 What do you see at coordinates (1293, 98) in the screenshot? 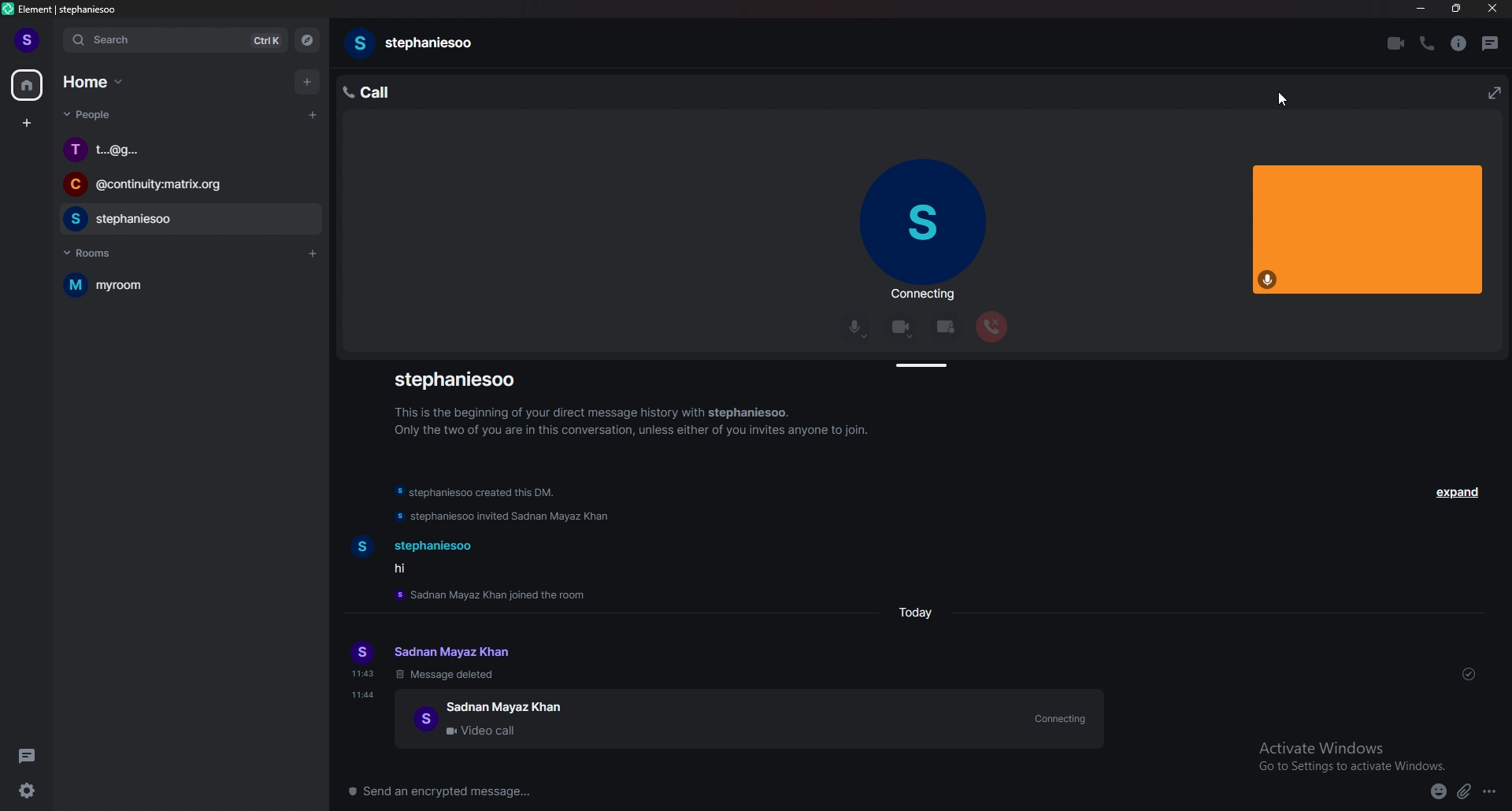
I see `cursor` at bounding box center [1293, 98].